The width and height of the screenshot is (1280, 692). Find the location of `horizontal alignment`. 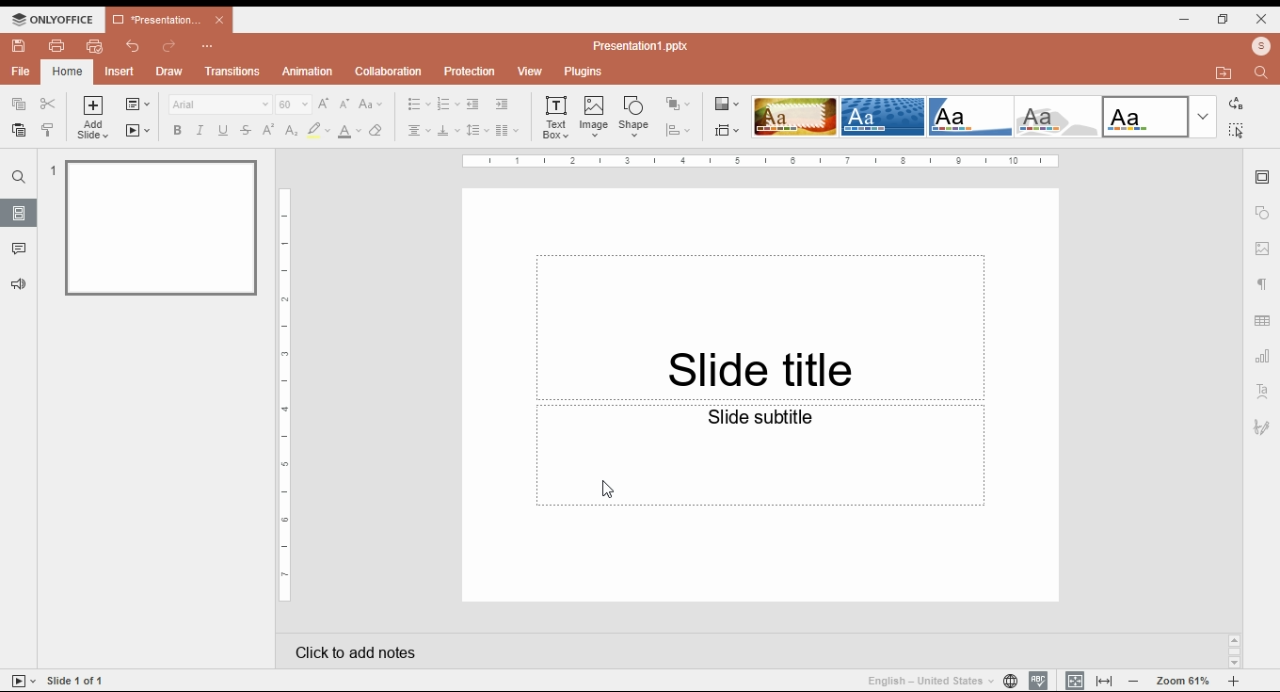

horizontal alignment is located at coordinates (417, 132).